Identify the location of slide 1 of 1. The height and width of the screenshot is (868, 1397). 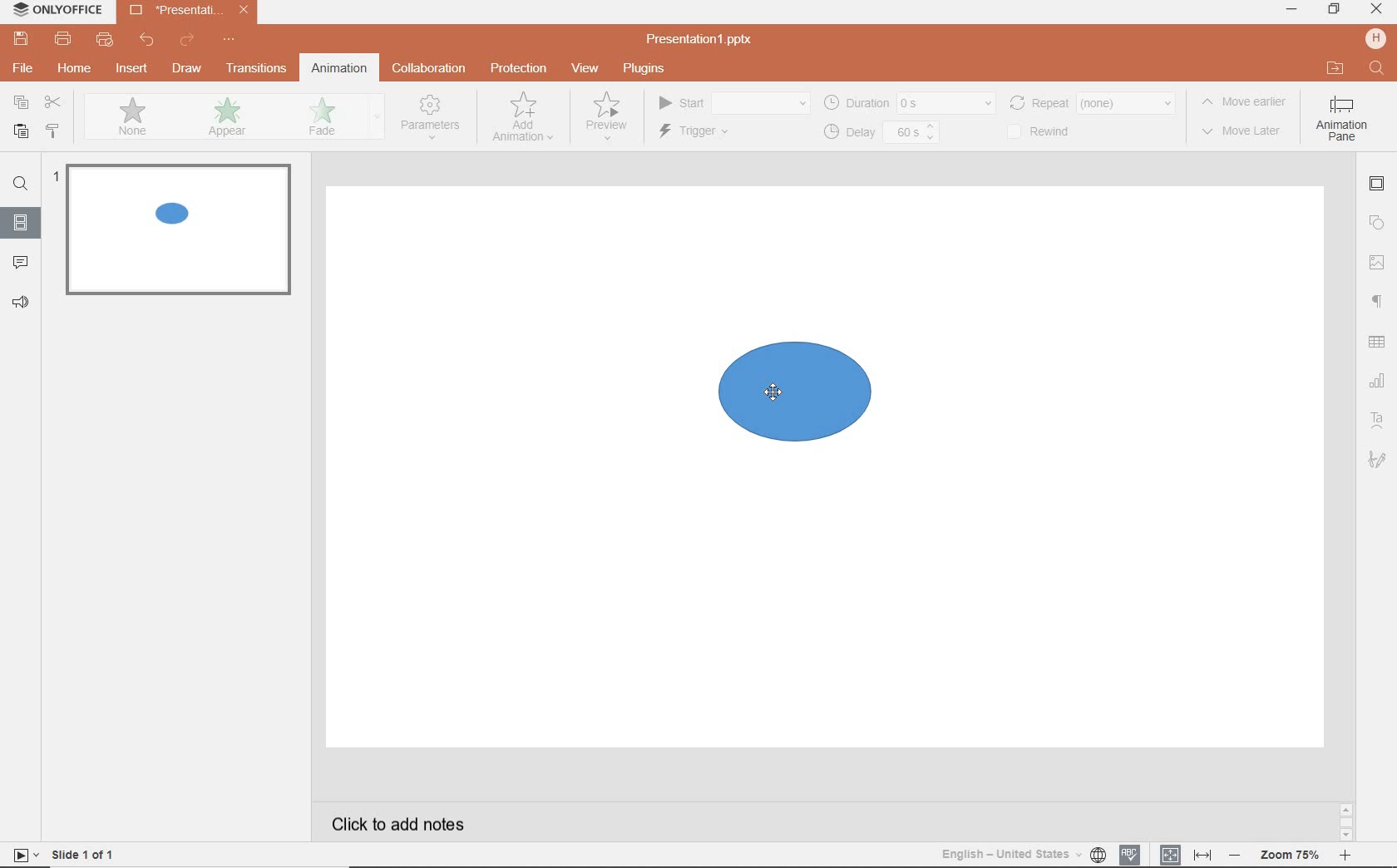
(87, 857).